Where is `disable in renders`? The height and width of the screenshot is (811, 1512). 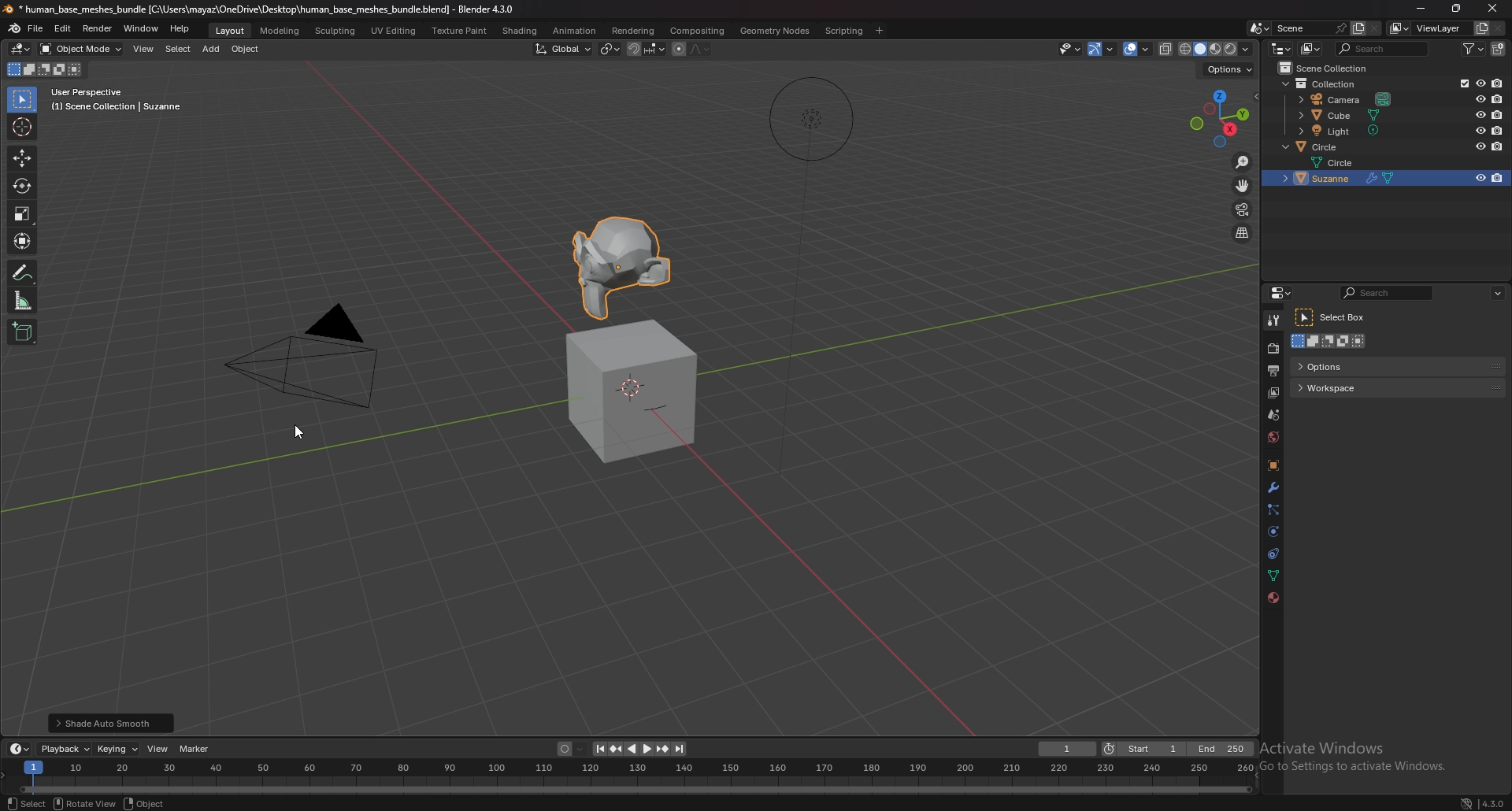
disable in renders is located at coordinates (1496, 146).